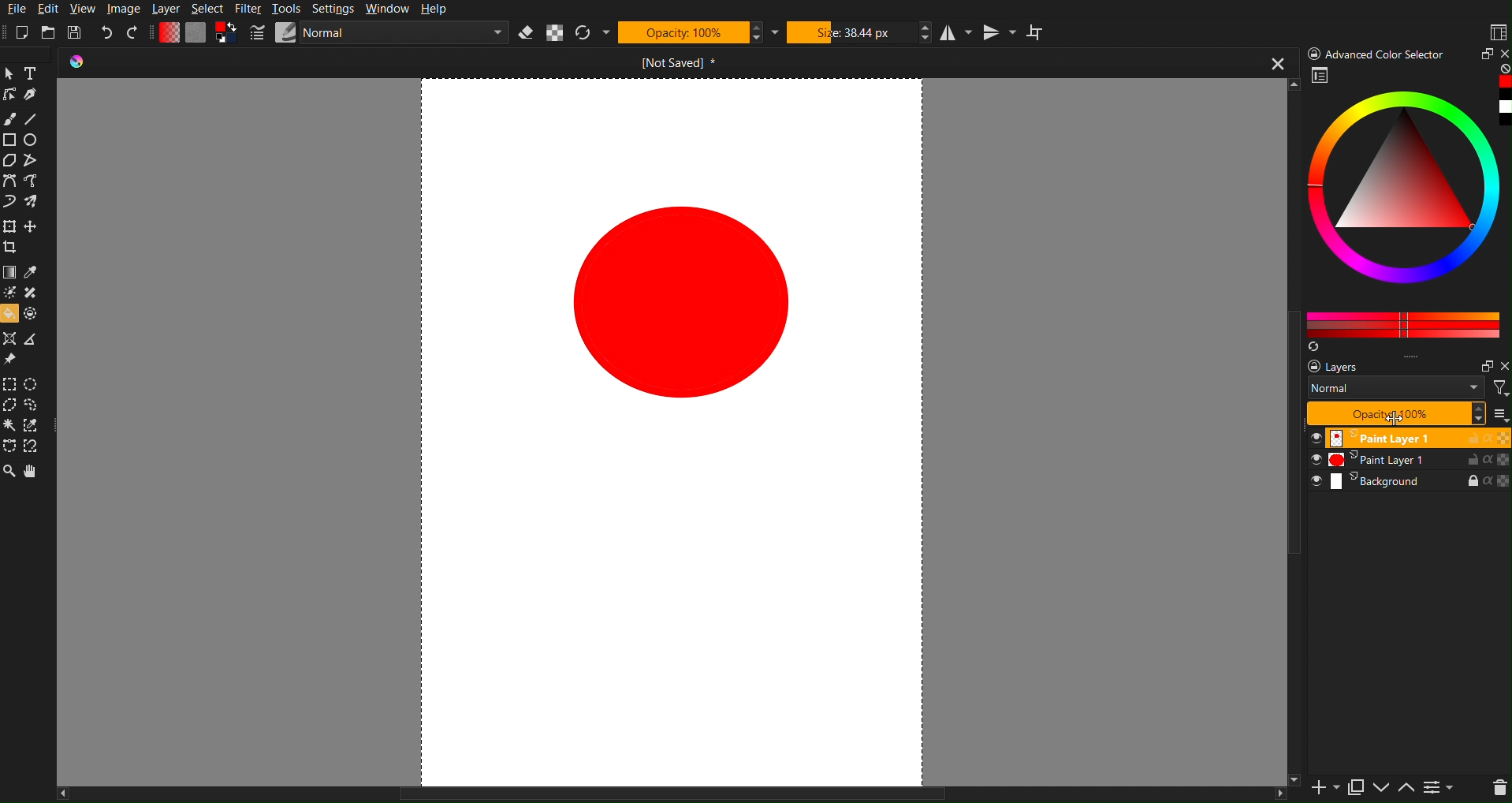  What do you see at coordinates (1001, 32) in the screenshot?
I see `Vertical Mirror` at bounding box center [1001, 32].